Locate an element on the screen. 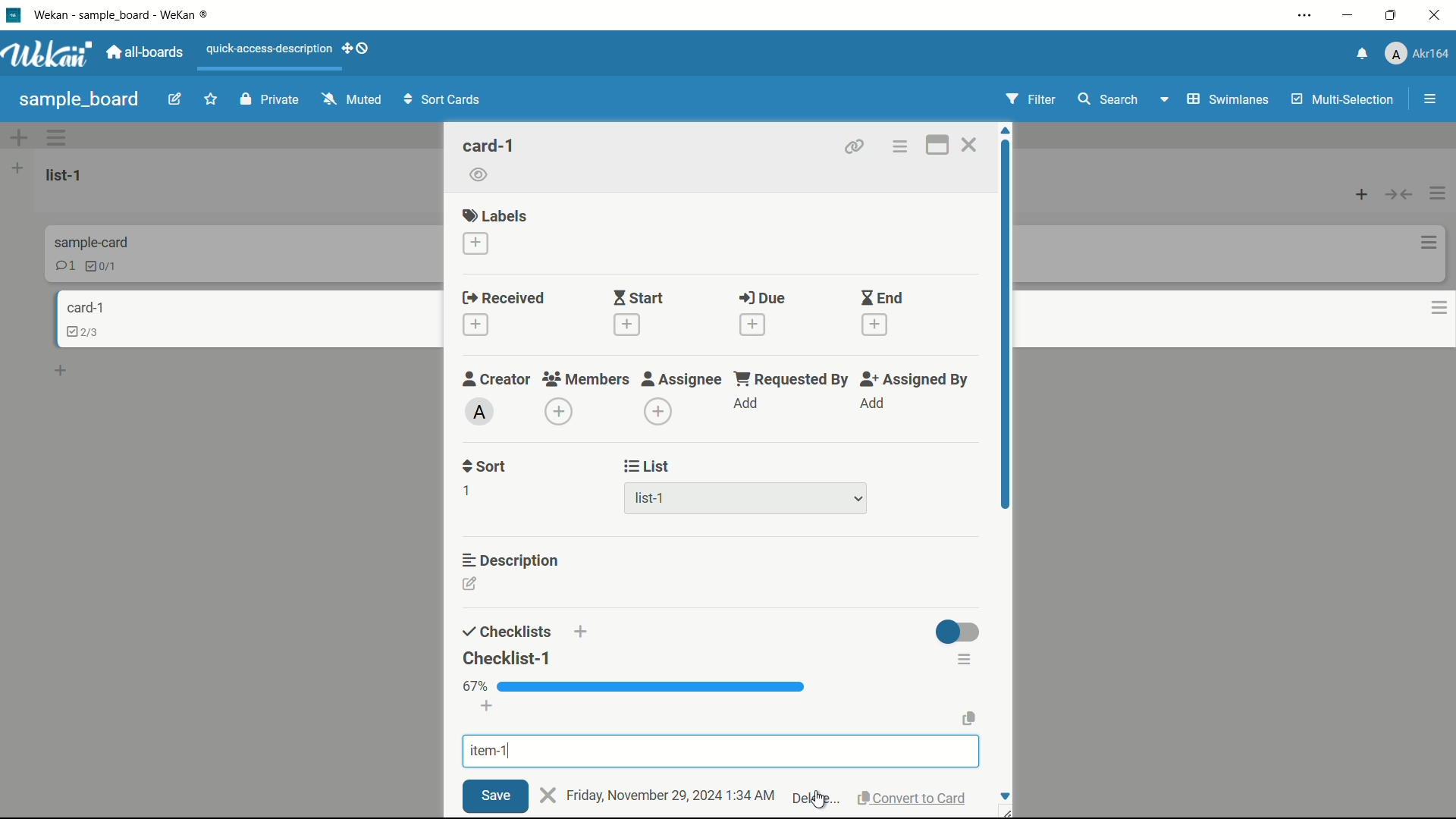 Image resolution: width=1456 pixels, height=819 pixels. checklist-1 is located at coordinates (509, 657).